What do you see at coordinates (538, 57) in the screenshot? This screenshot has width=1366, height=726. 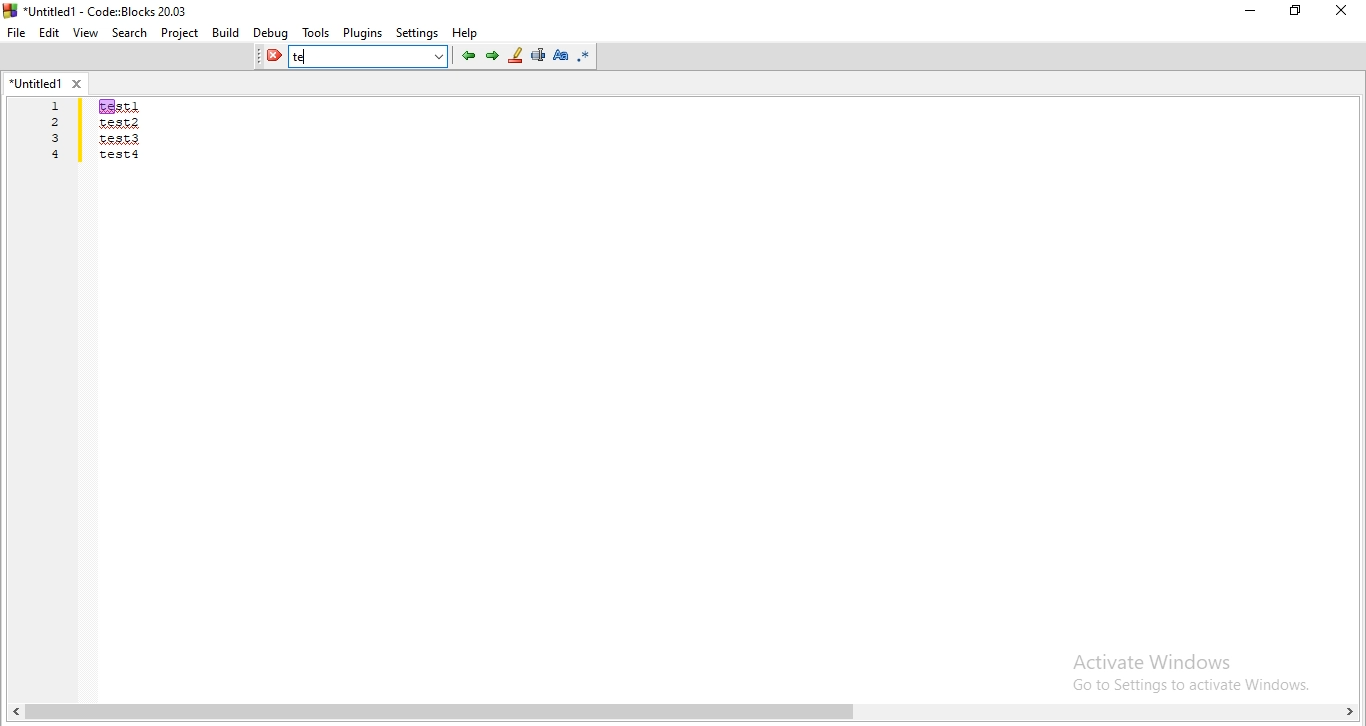 I see `selected text` at bounding box center [538, 57].